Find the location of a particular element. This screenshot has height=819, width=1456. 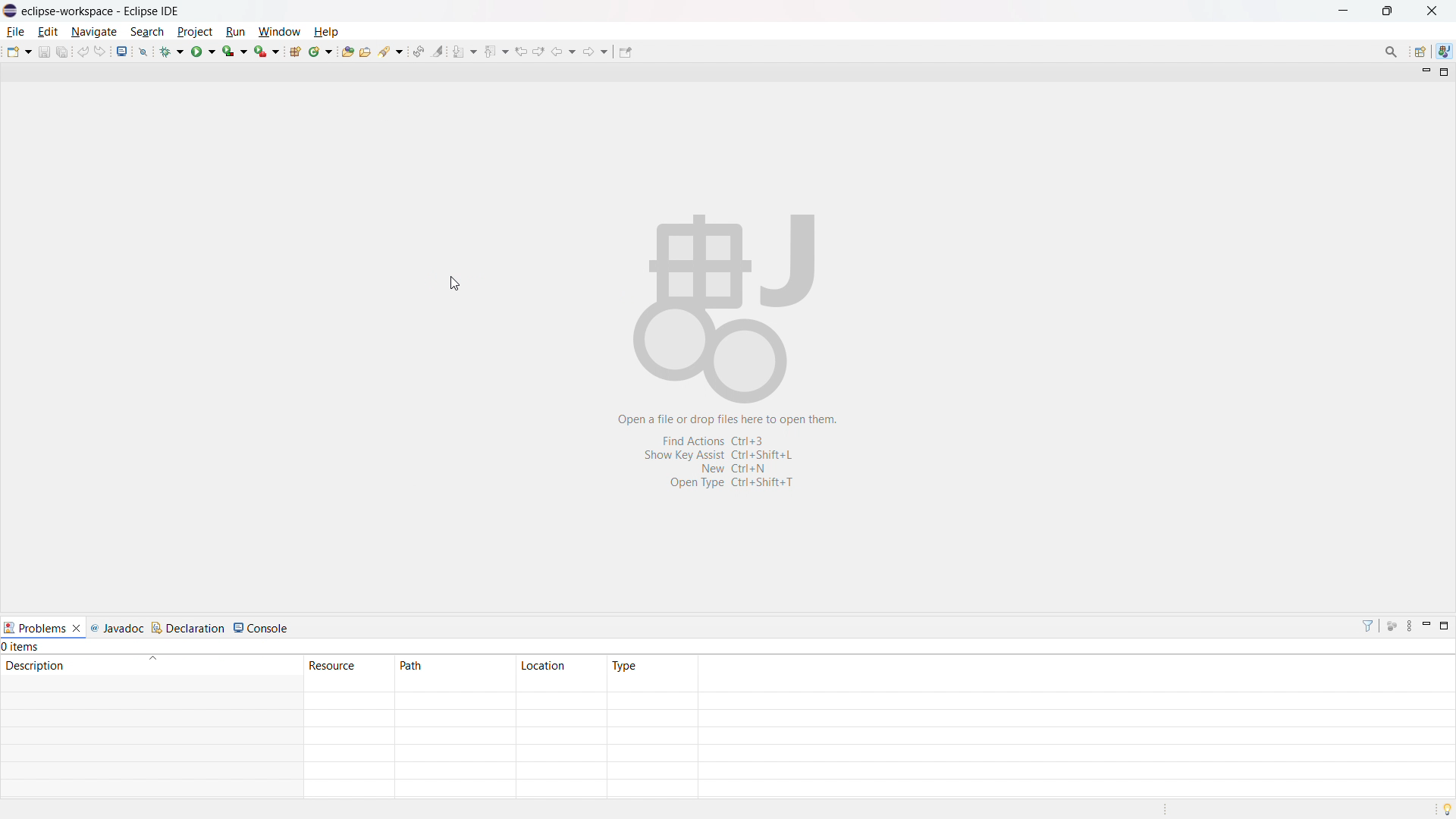

edit is located at coordinates (49, 32).